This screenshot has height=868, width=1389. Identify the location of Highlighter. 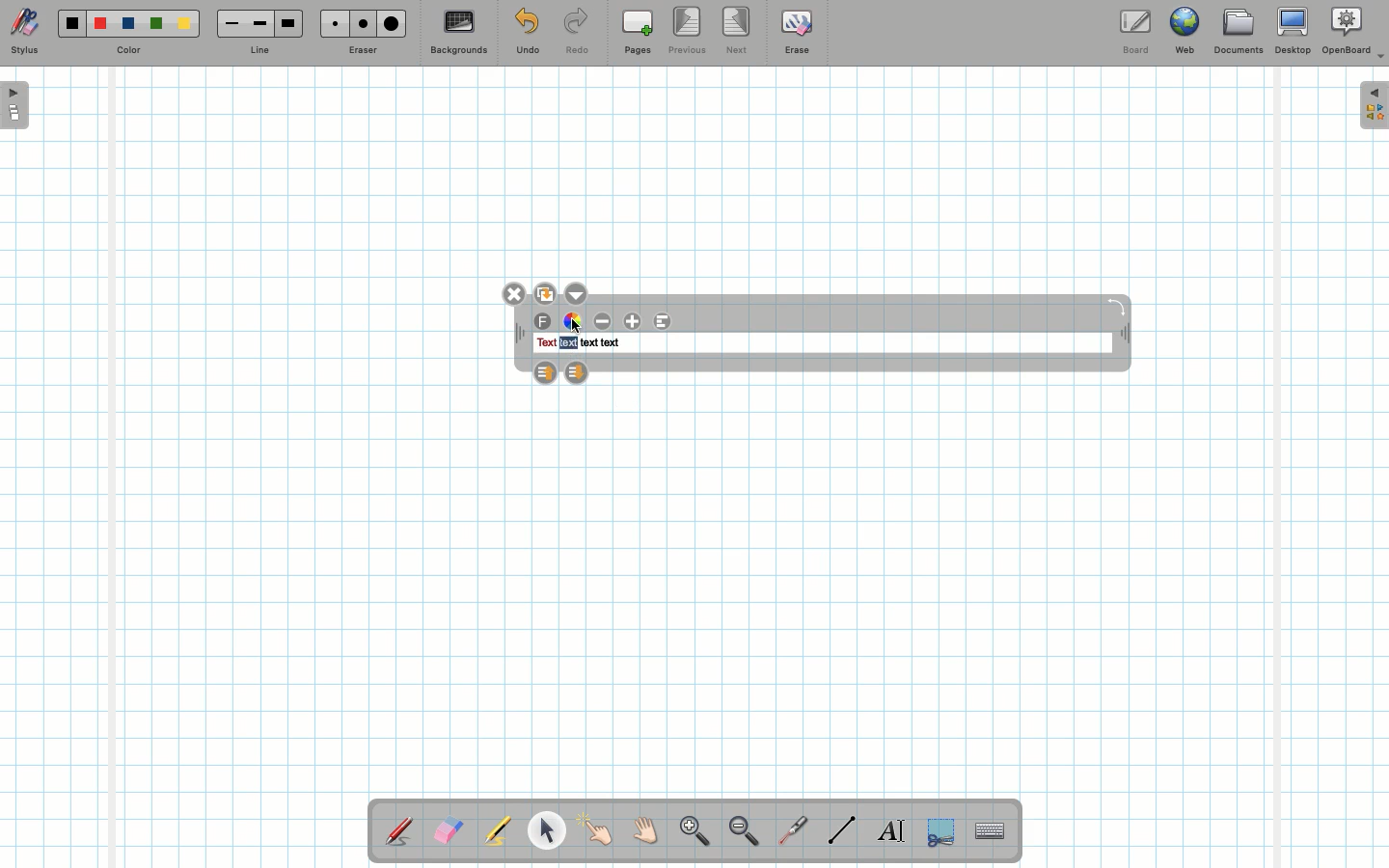
(496, 832).